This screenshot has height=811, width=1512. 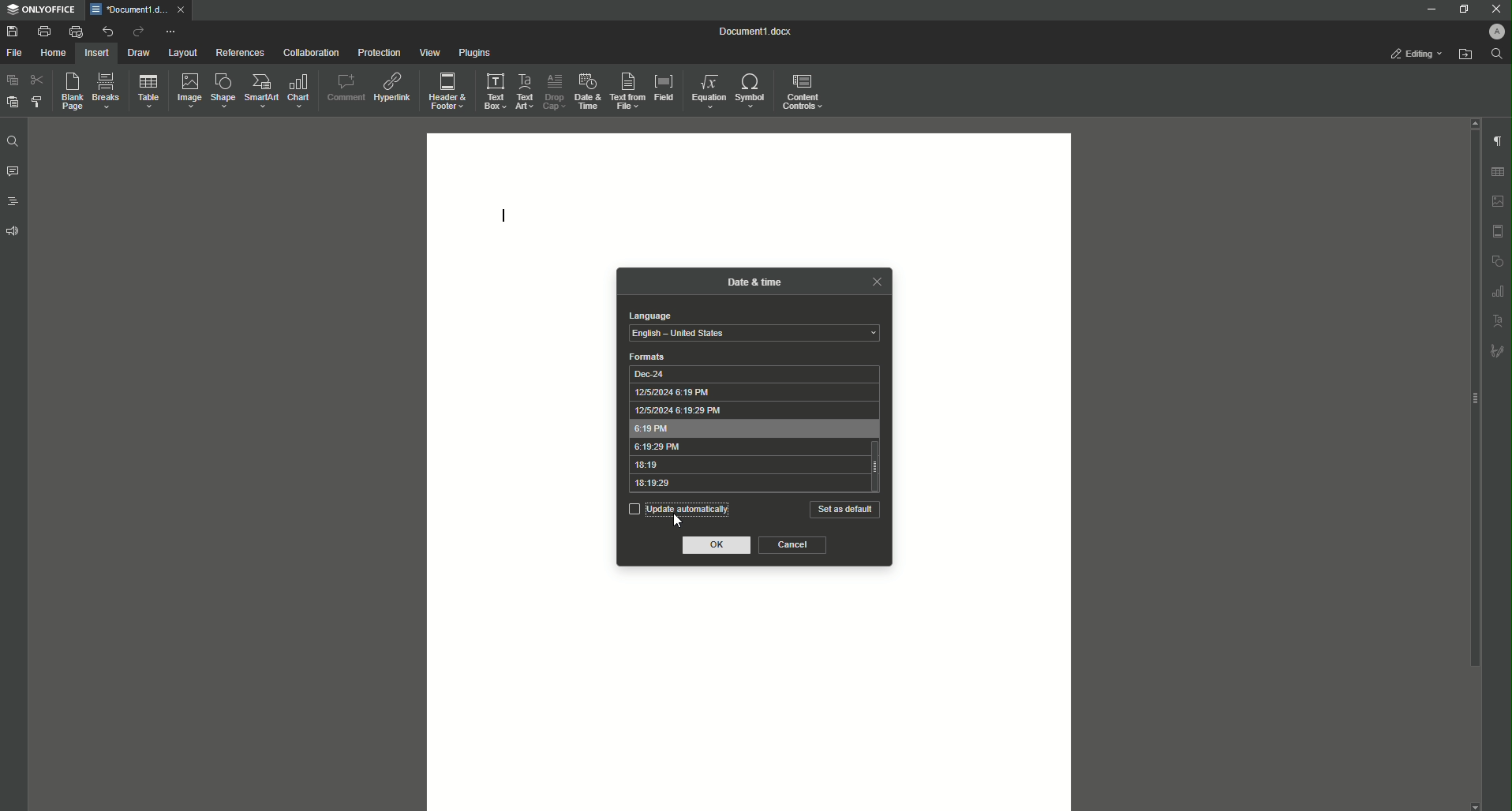 What do you see at coordinates (136, 32) in the screenshot?
I see `Redo` at bounding box center [136, 32].